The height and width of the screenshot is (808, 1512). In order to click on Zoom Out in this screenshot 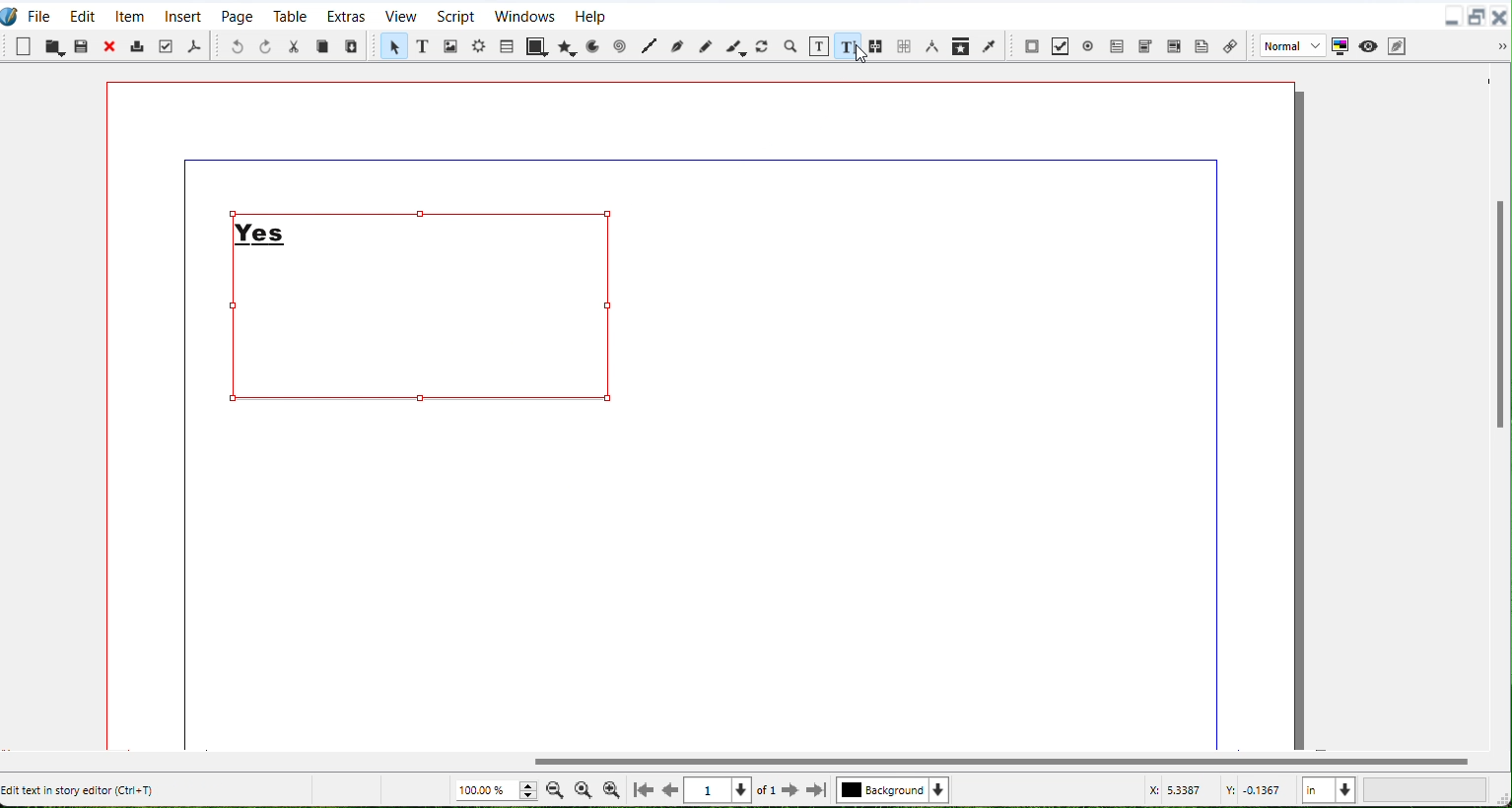, I will do `click(555, 789)`.